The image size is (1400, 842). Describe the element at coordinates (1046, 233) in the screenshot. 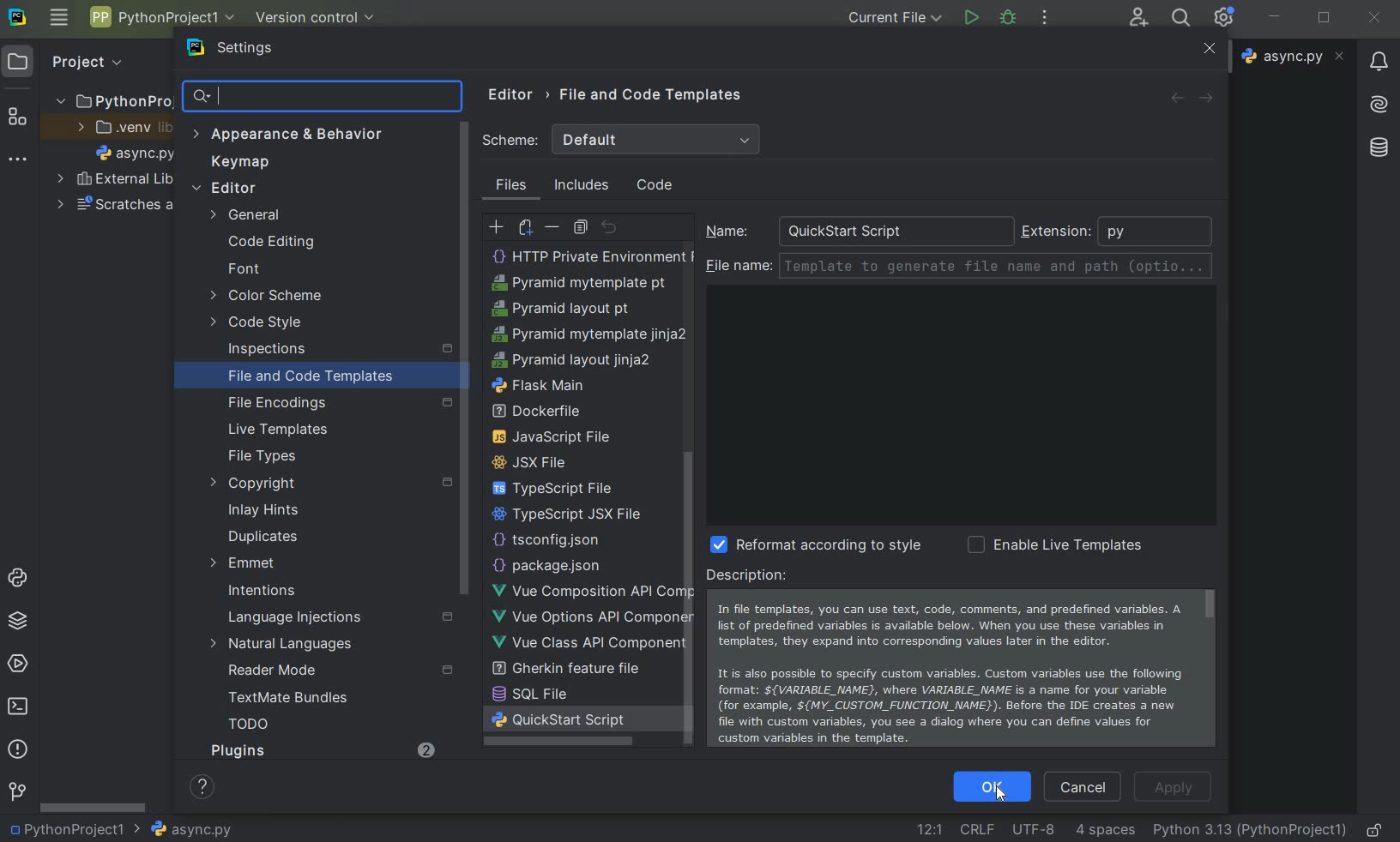

I see `extension` at that location.